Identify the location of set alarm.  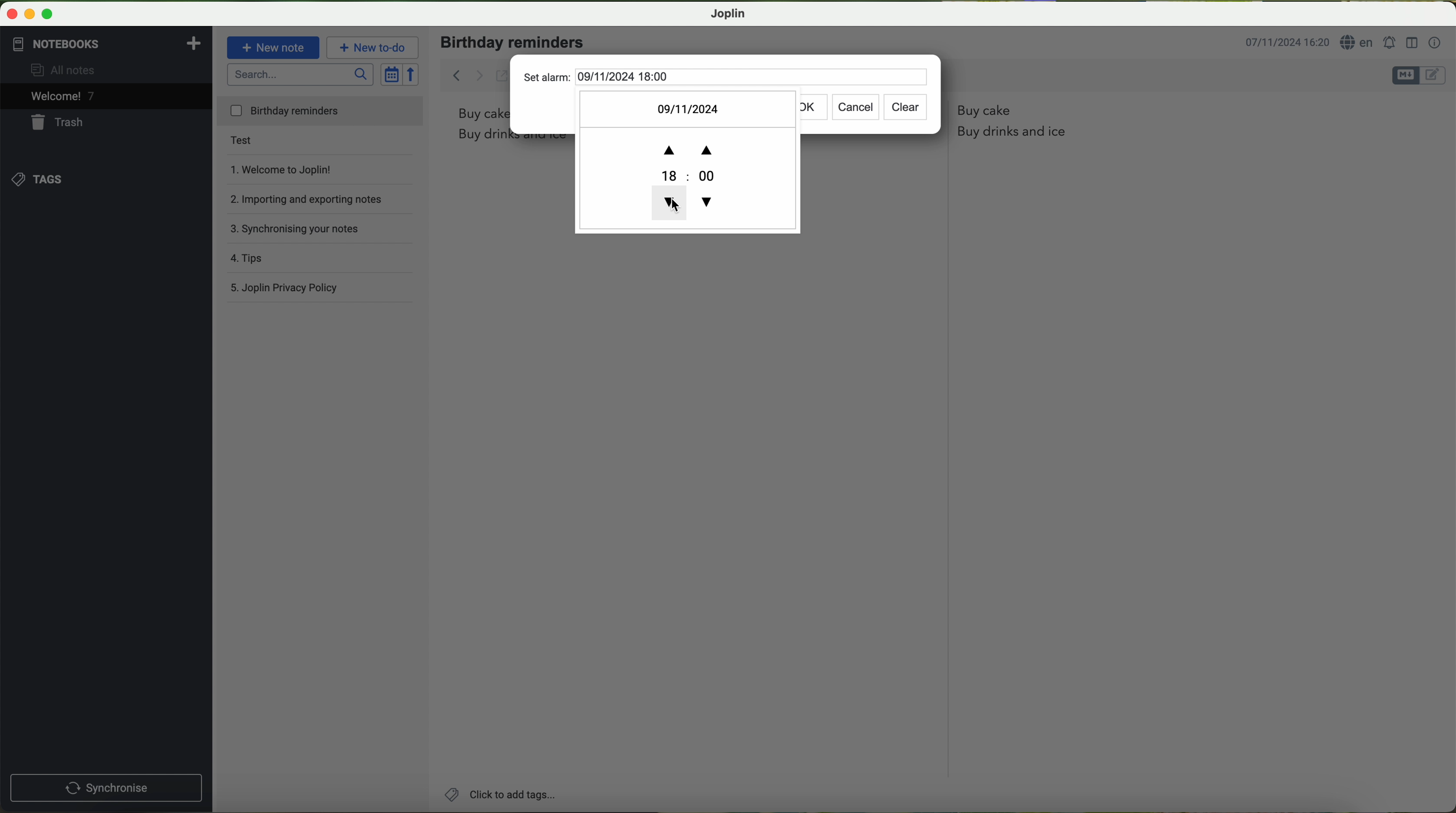
(1392, 43).